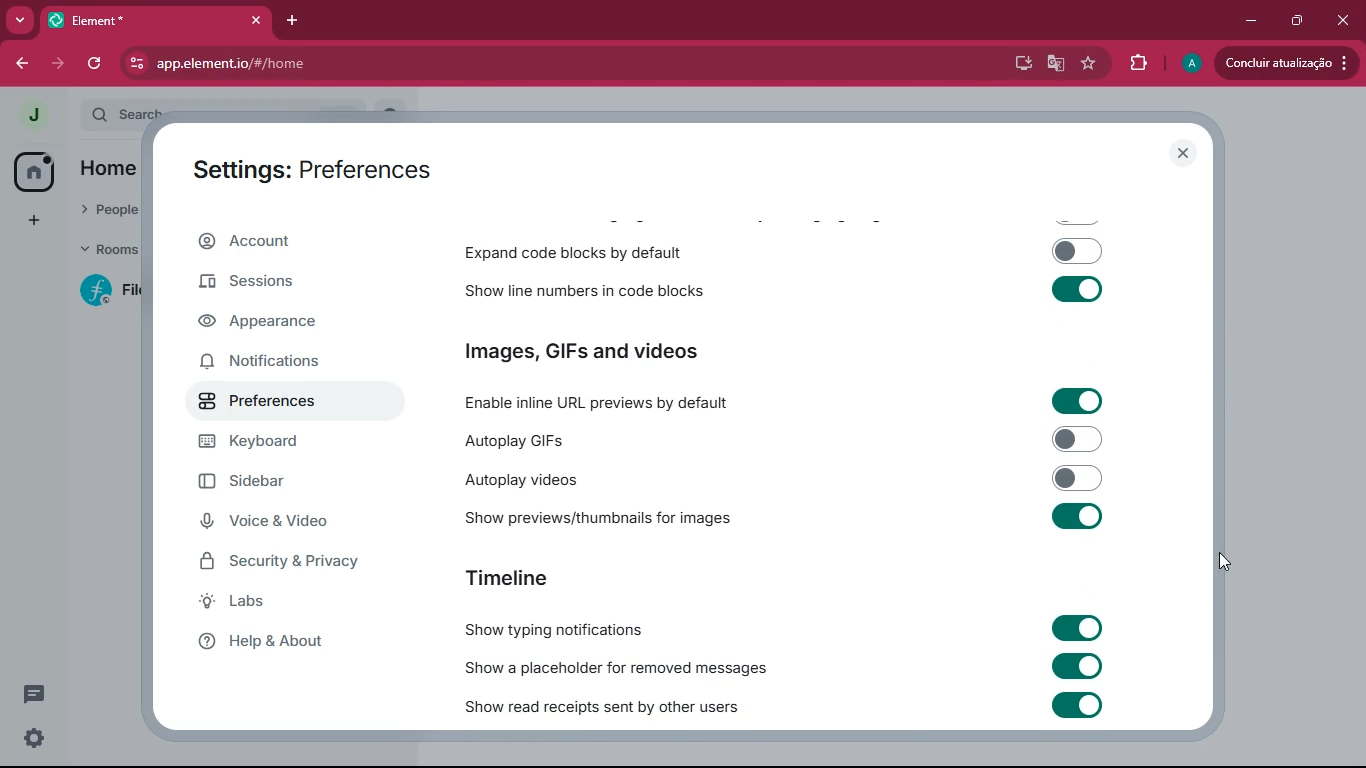 This screenshot has height=768, width=1366. I want to click on toggle on/off, so click(1079, 478).